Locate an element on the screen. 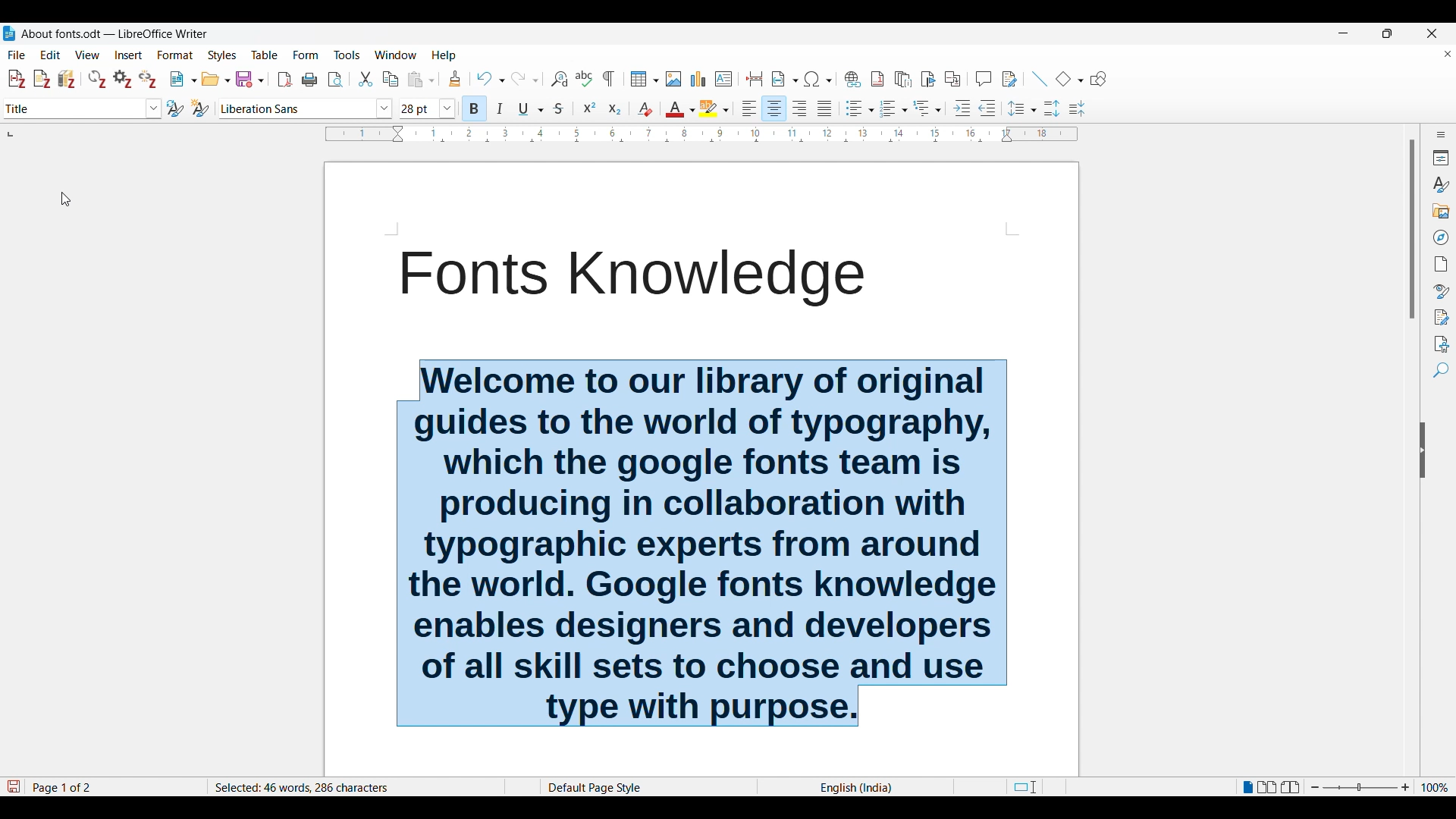  Add/Edit citation is located at coordinates (17, 79).